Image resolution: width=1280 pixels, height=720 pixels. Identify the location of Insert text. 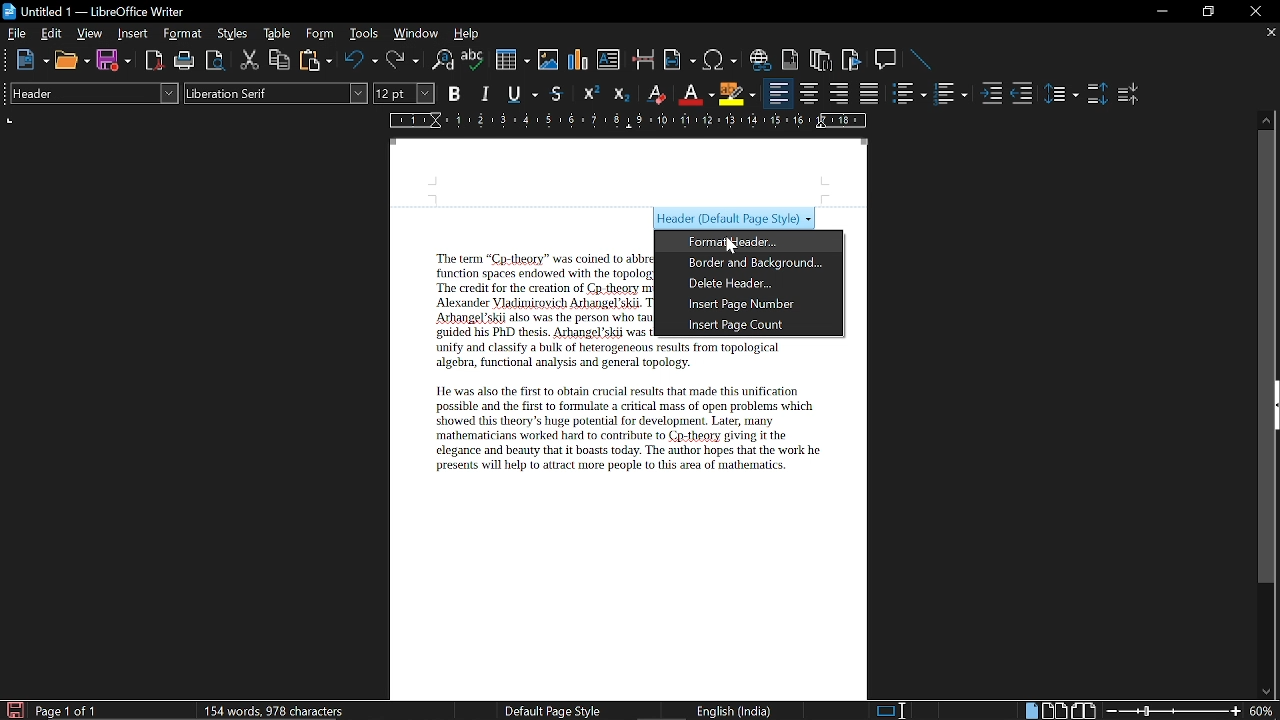
(608, 59).